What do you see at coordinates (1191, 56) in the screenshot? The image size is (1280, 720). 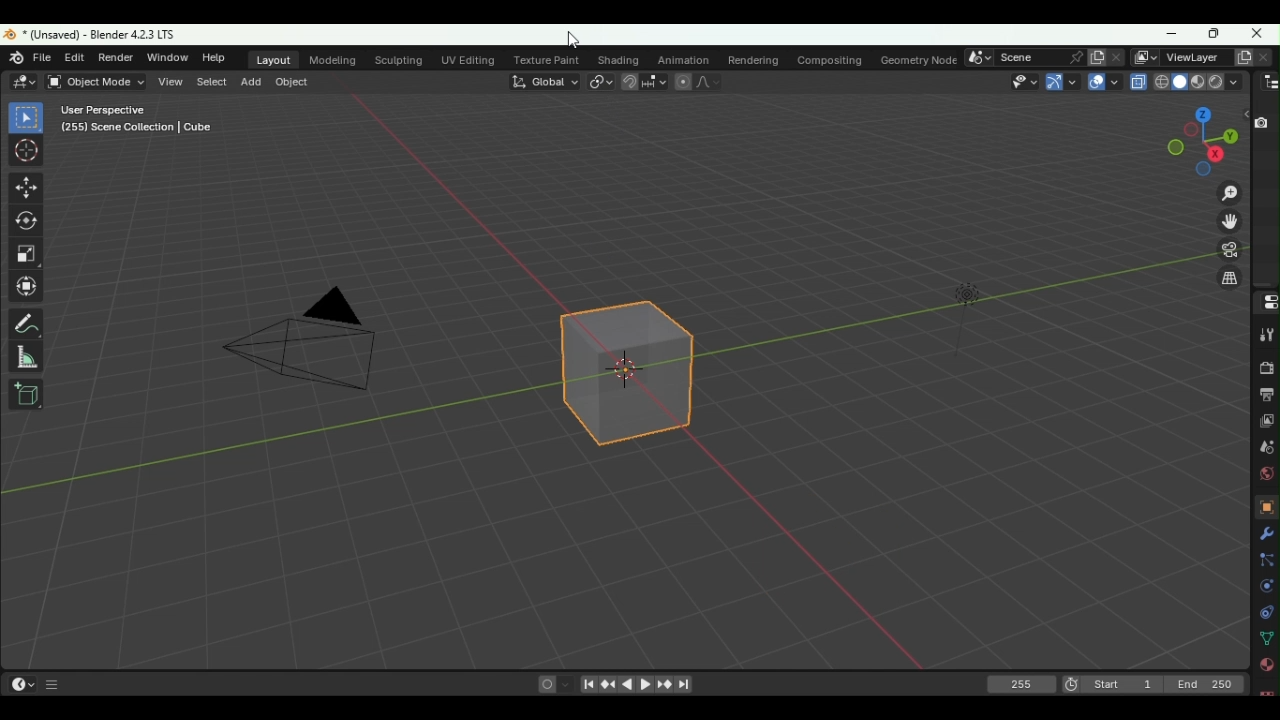 I see `Name` at bounding box center [1191, 56].